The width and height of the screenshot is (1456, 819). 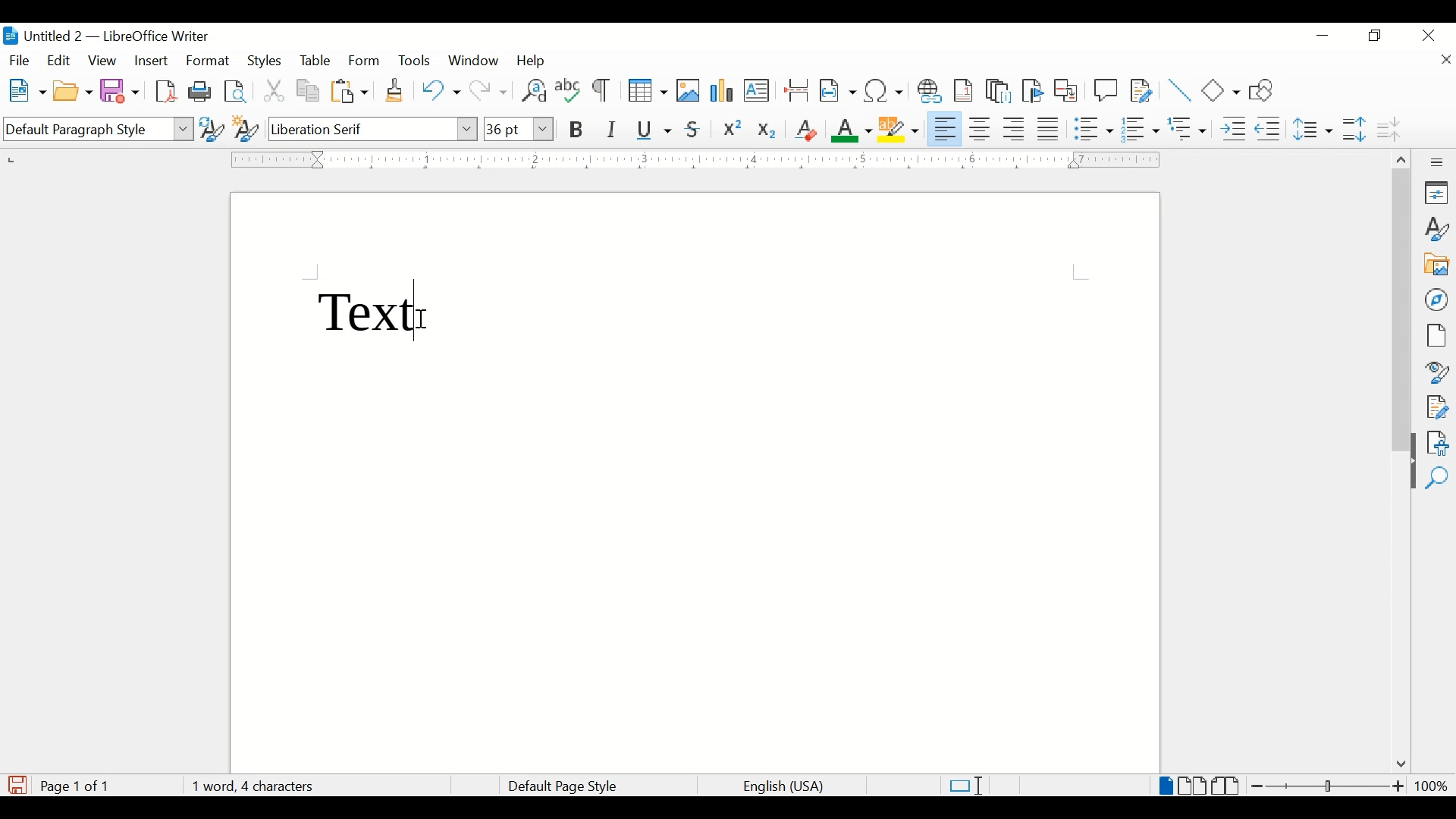 I want to click on drag handle, so click(x=1407, y=475).